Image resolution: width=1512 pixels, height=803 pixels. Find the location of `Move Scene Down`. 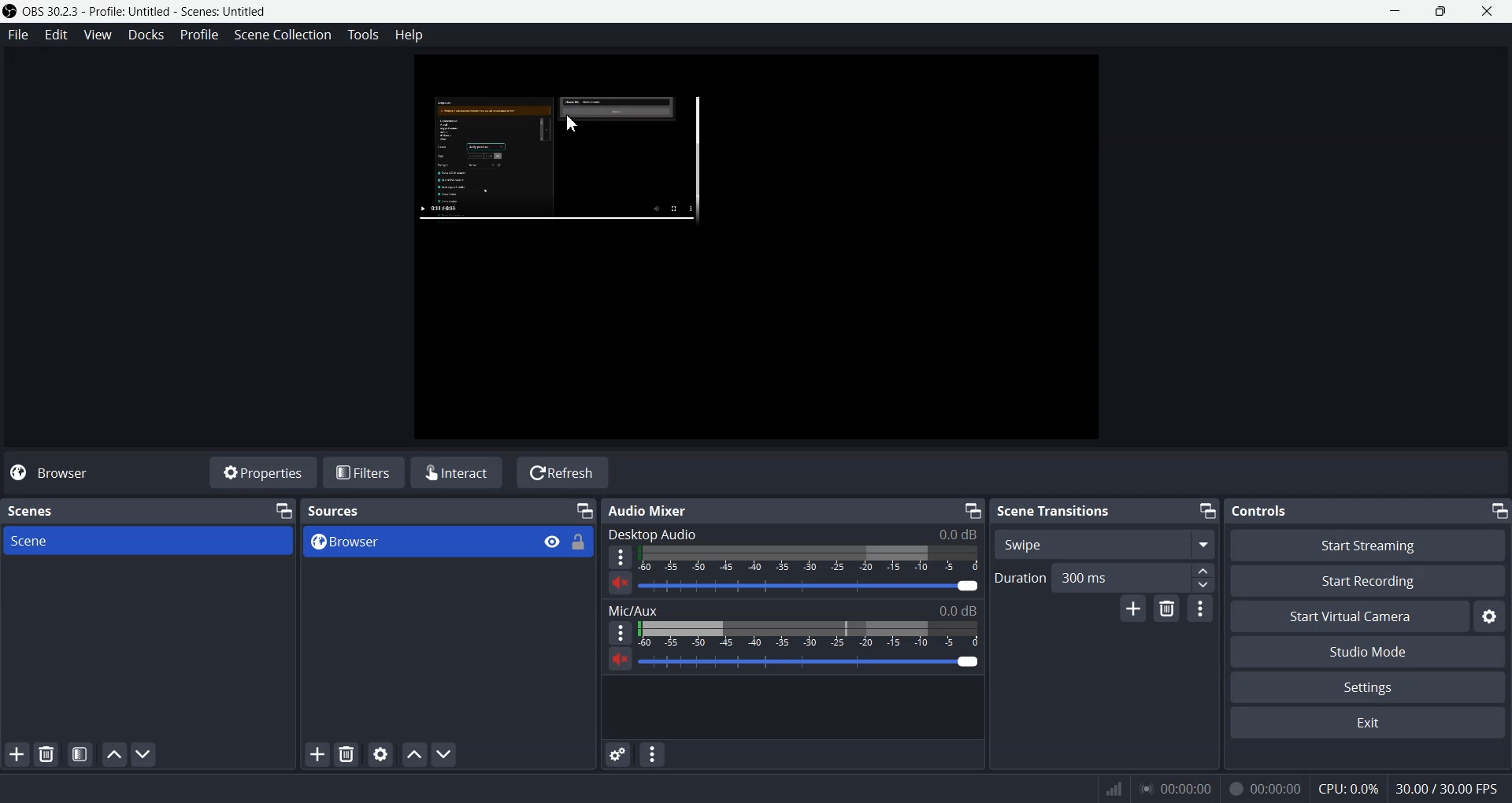

Move Scene Down is located at coordinates (447, 755).